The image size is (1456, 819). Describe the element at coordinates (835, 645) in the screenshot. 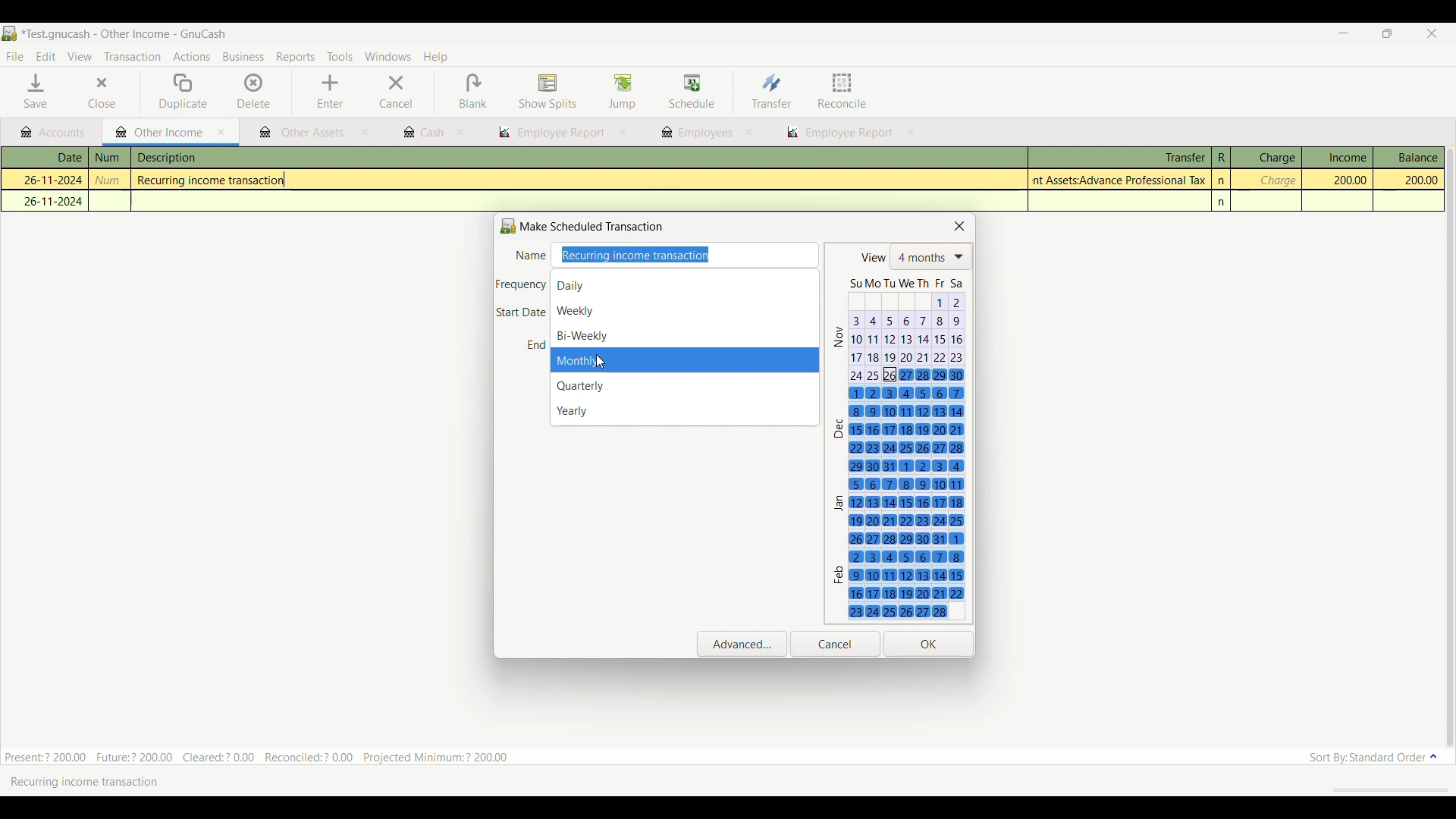

I see `Cancel inputs` at that location.